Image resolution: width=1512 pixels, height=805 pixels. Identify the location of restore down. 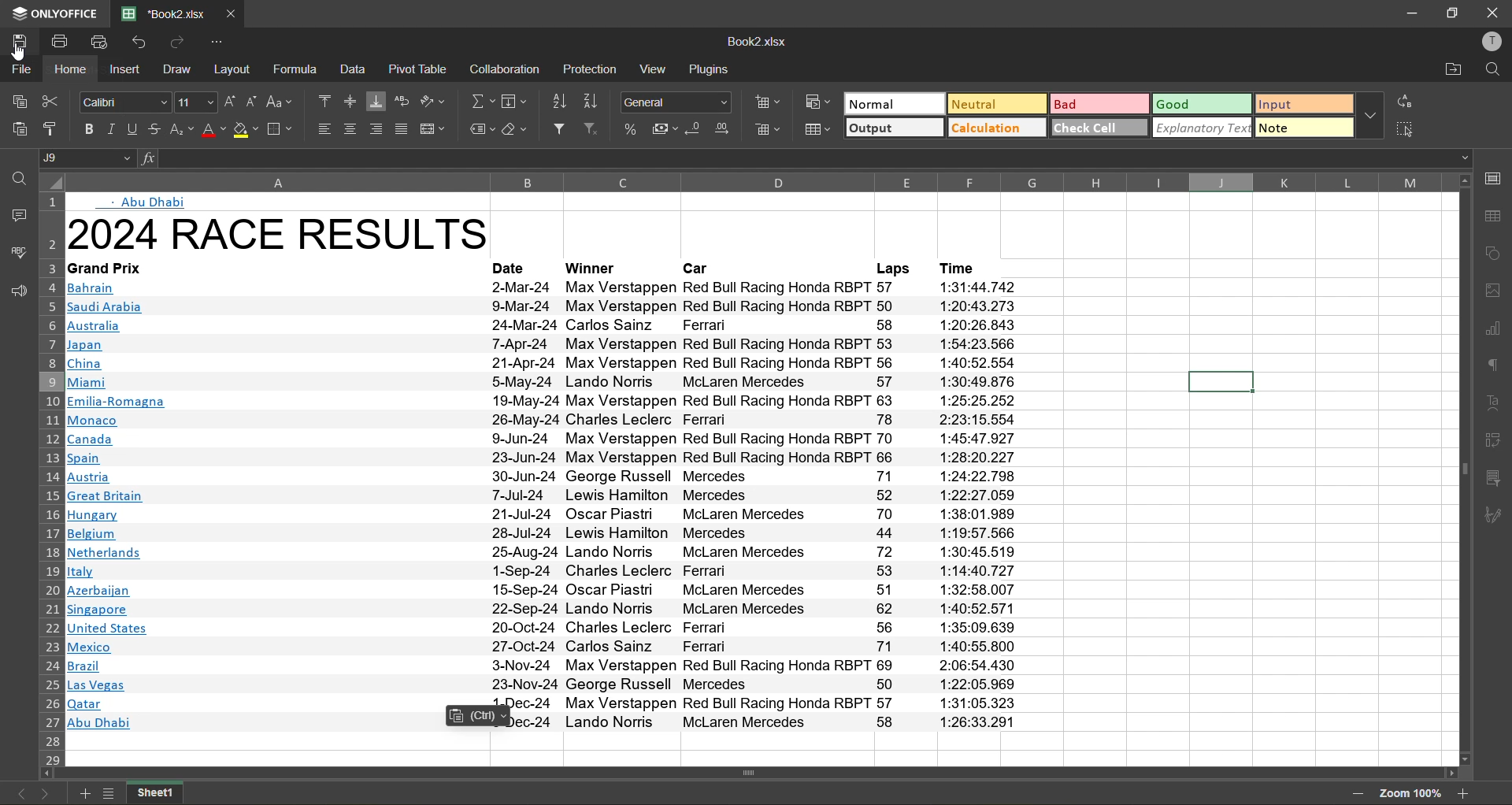
(1451, 13).